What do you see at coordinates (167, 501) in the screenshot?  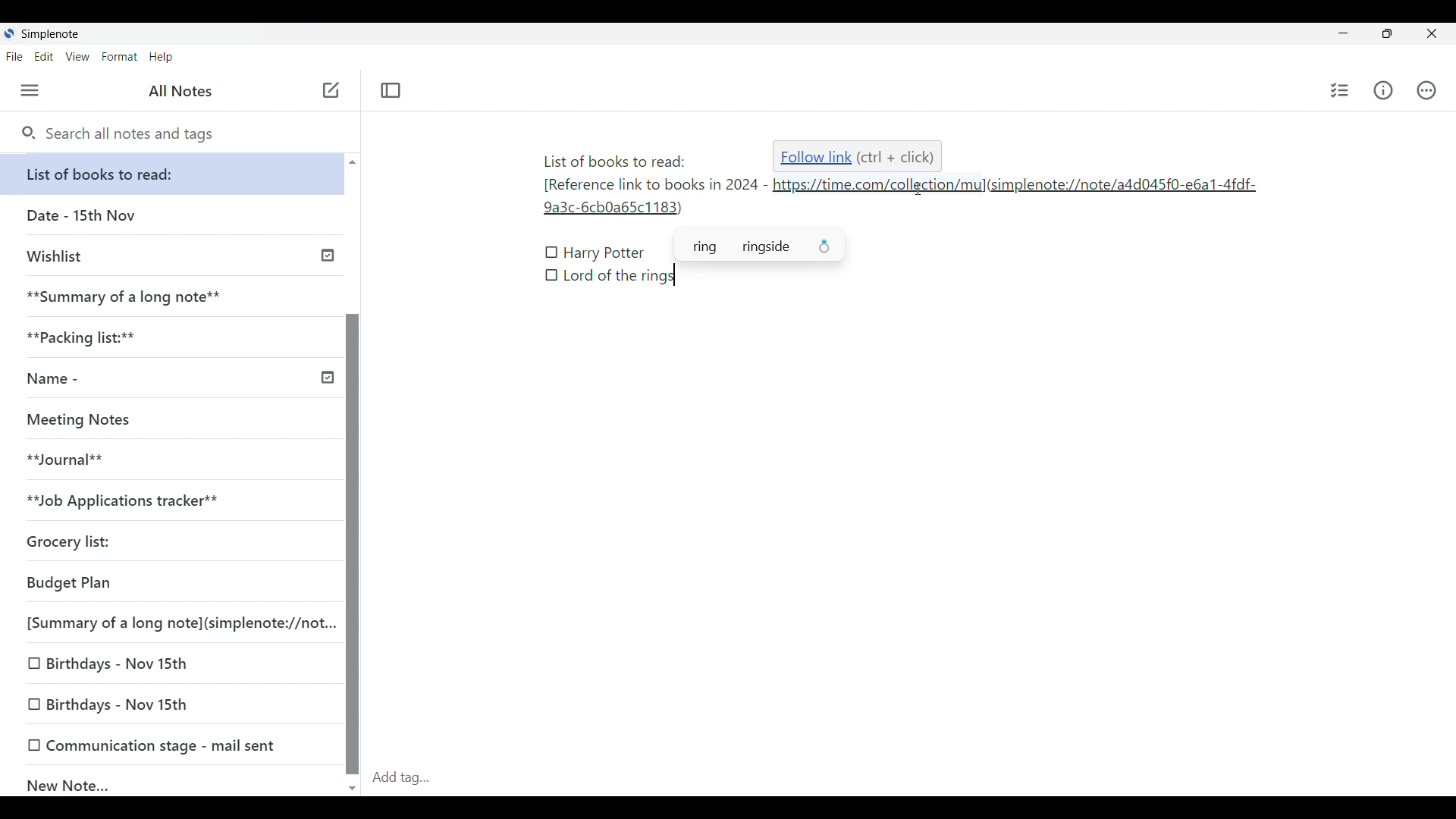 I see `**Job Applications tracker**` at bounding box center [167, 501].